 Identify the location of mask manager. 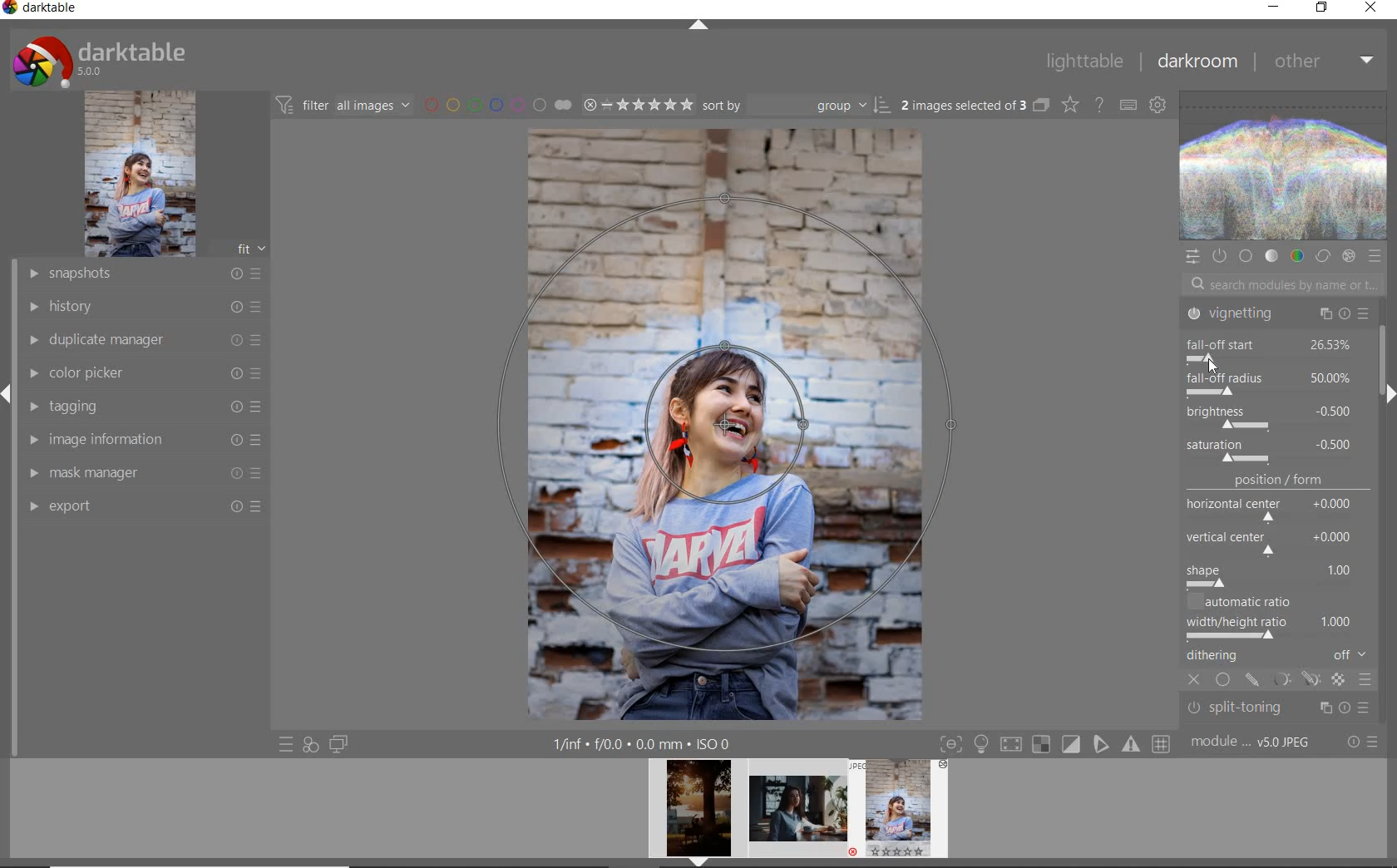
(144, 471).